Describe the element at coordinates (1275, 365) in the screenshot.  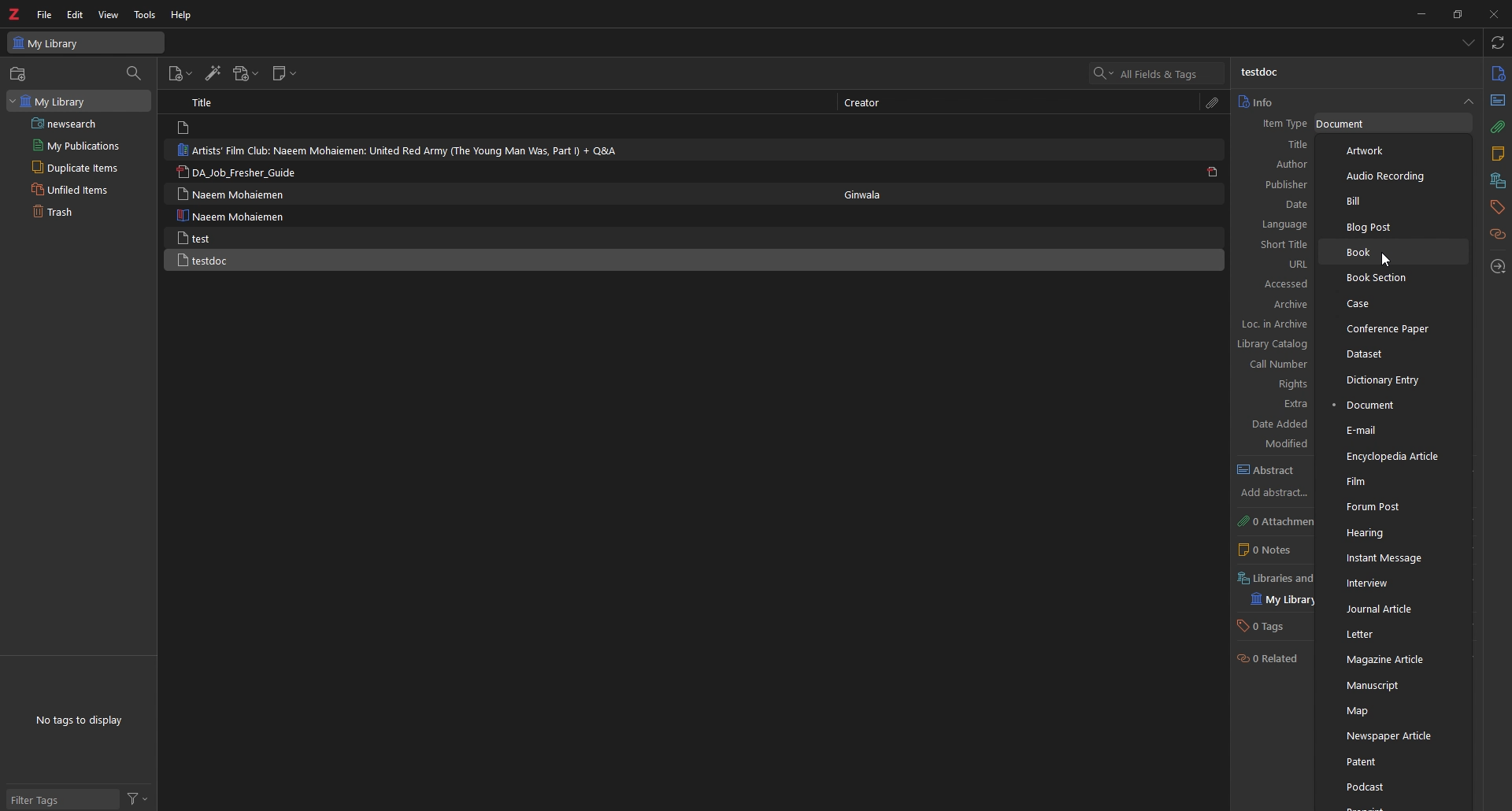
I see `Call Number` at that location.